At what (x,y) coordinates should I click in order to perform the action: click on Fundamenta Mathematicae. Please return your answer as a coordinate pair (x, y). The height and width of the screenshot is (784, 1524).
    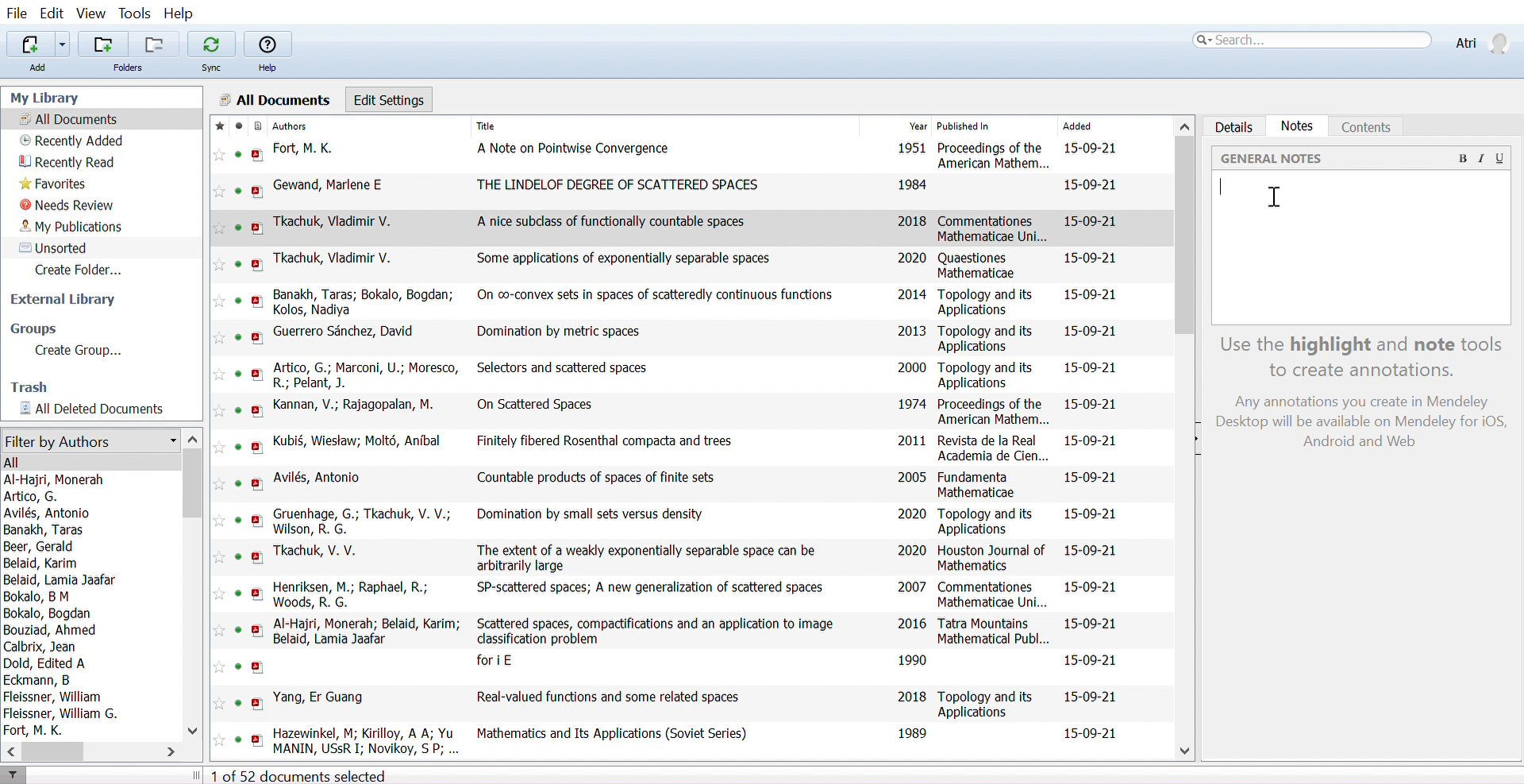
    Looking at the image, I should click on (981, 483).